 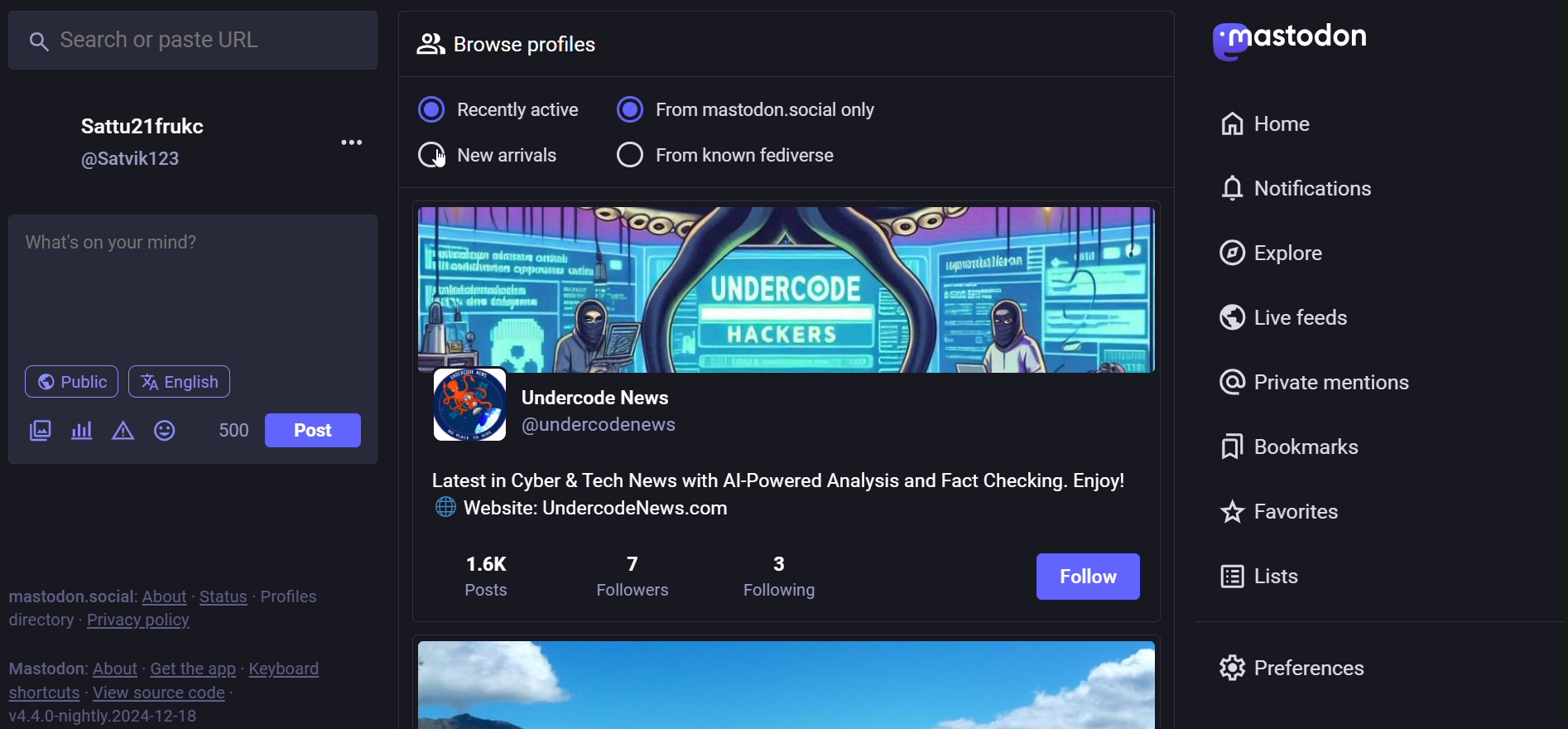 What do you see at coordinates (764, 107) in the screenshot?
I see `from mastodon social only` at bounding box center [764, 107].